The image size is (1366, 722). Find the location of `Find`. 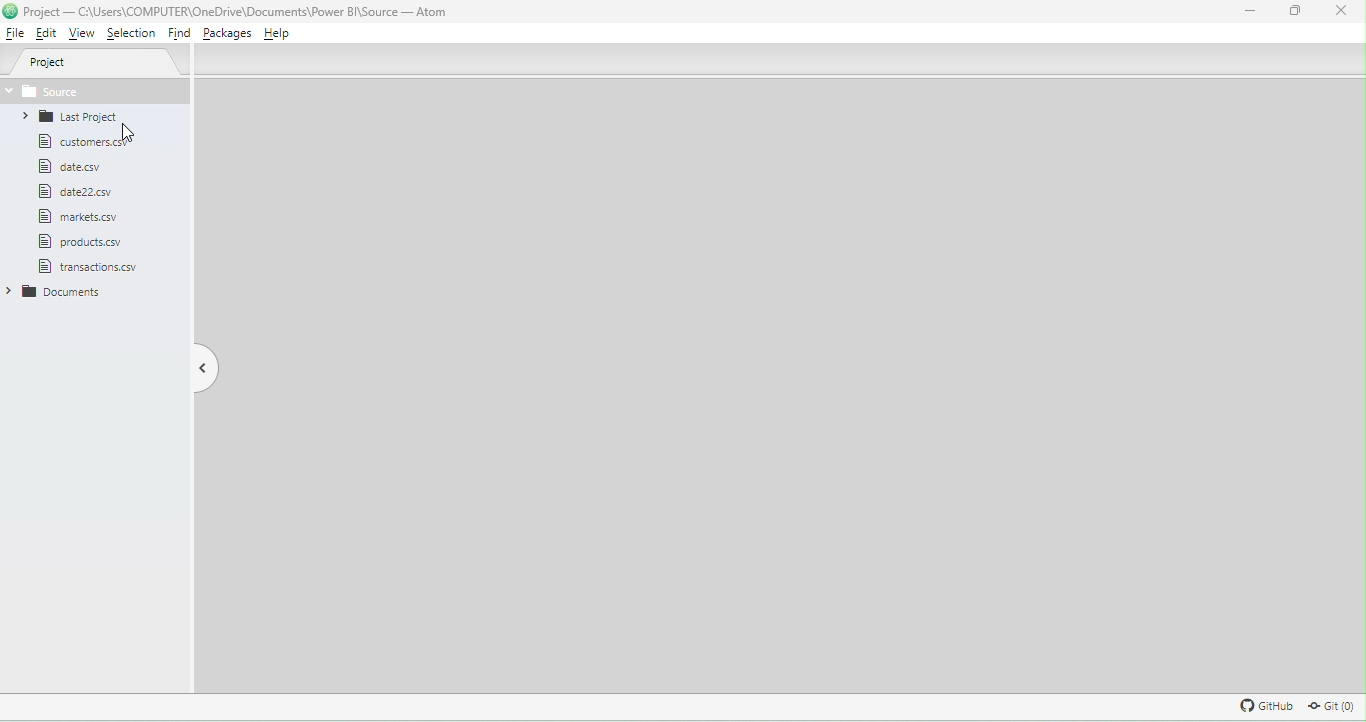

Find is located at coordinates (176, 33).